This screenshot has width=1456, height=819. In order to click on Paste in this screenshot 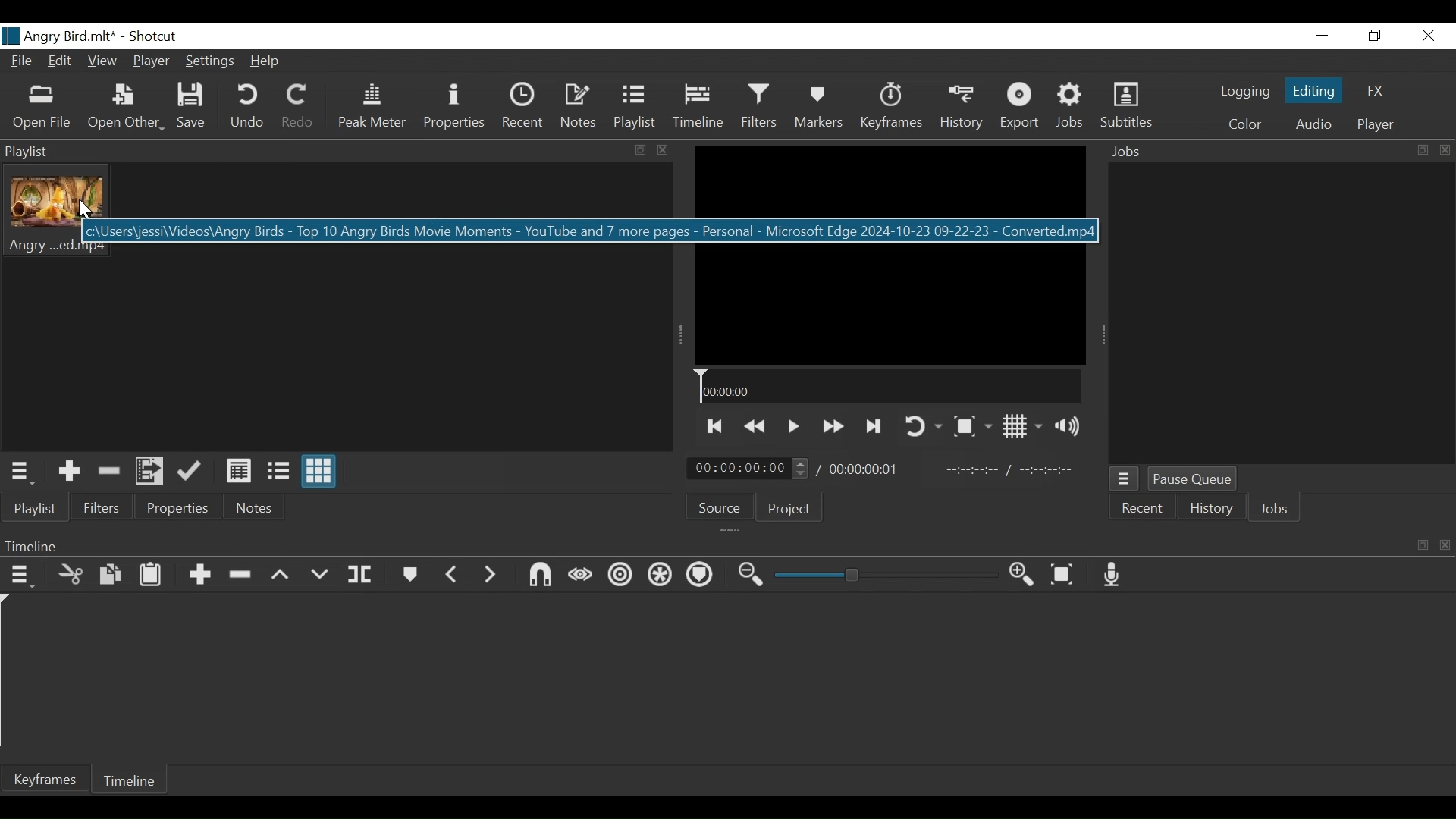, I will do `click(152, 574)`.